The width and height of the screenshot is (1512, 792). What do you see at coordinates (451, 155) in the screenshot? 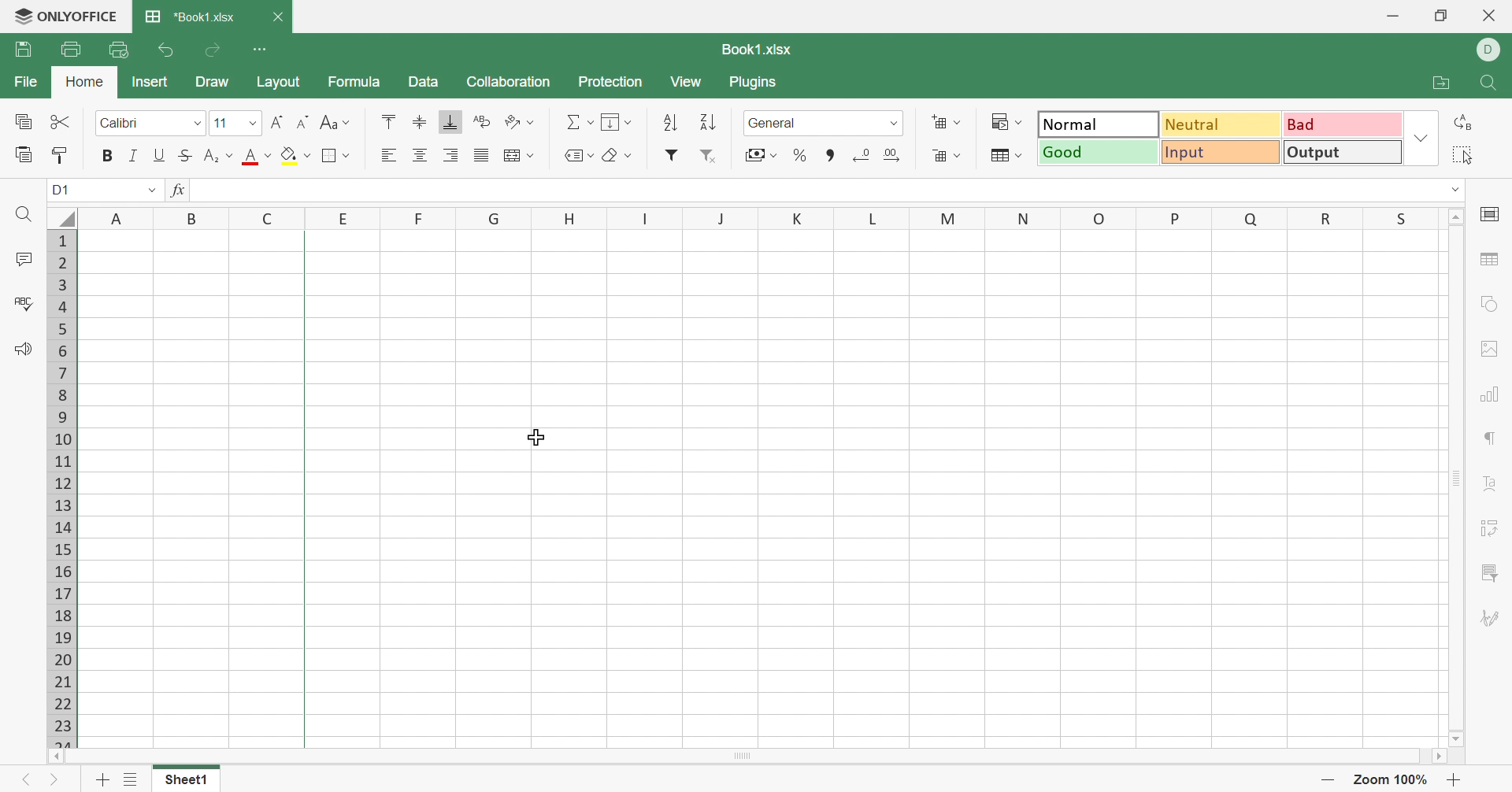
I see `Align Right` at bounding box center [451, 155].